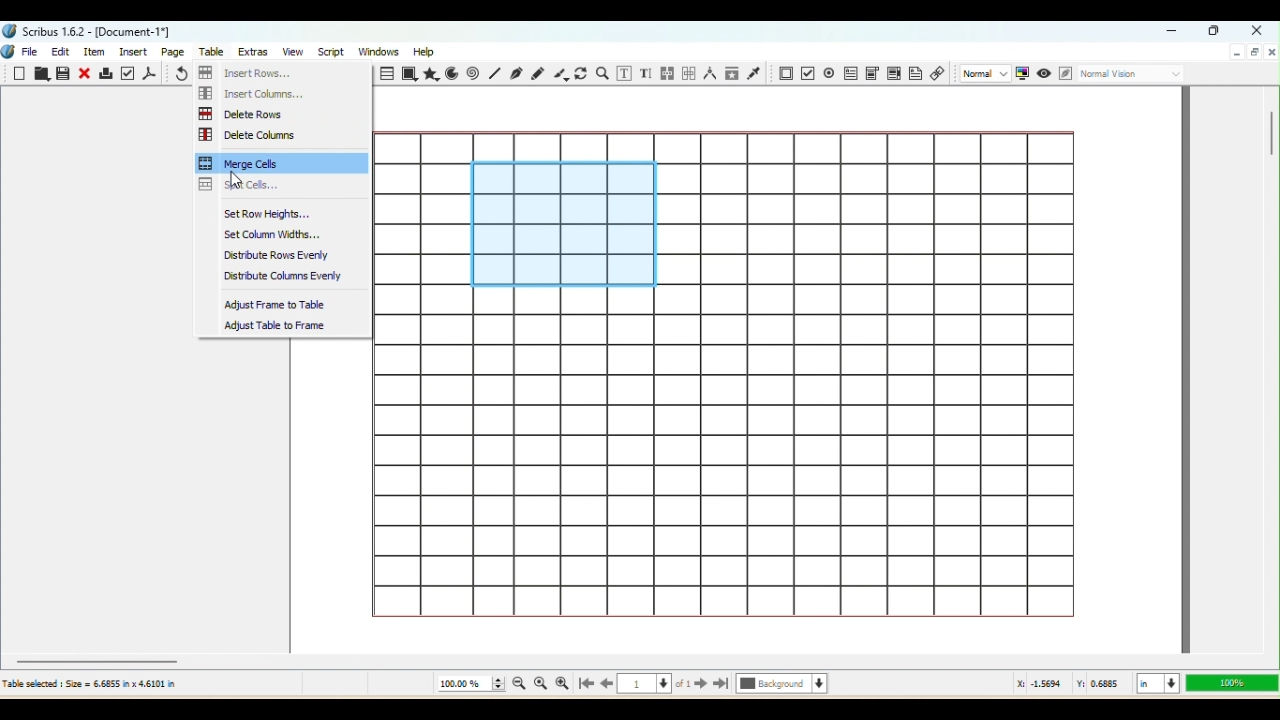  I want to click on Select the current page, so click(655, 686).